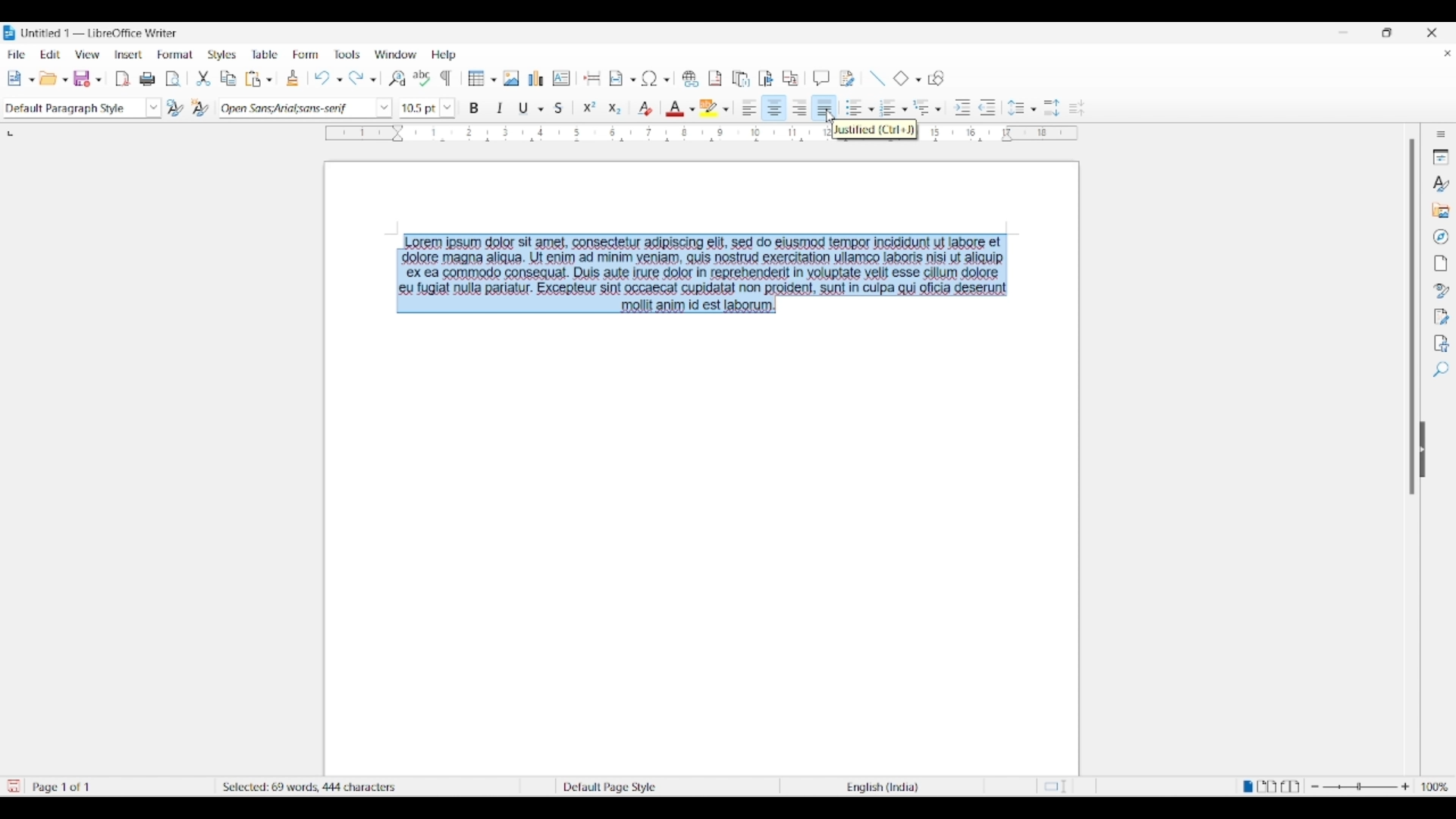 The height and width of the screenshot is (819, 1456). What do you see at coordinates (790, 77) in the screenshot?
I see `Insert cross reference` at bounding box center [790, 77].